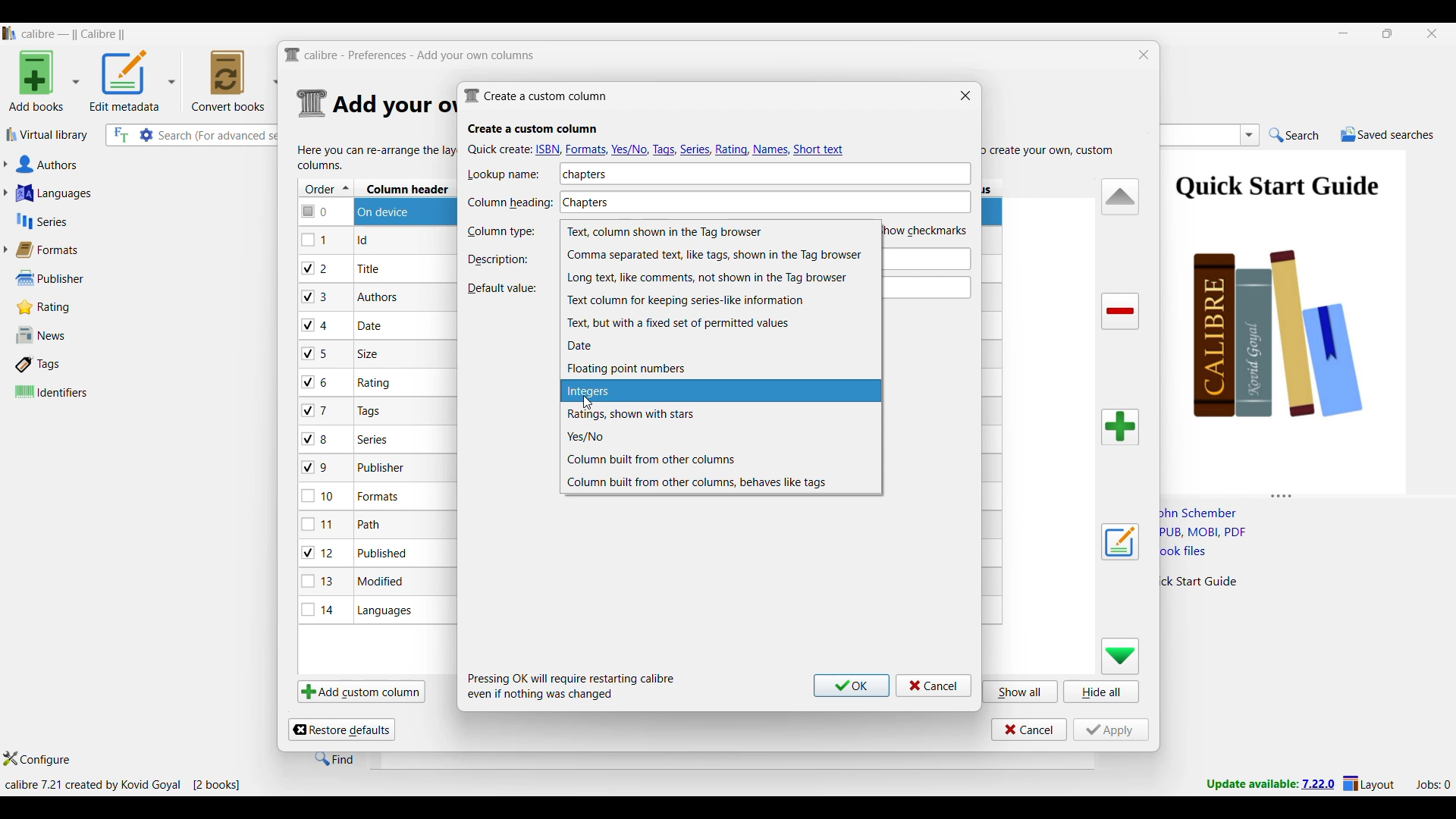  What do you see at coordinates (122, 785) in the screenshot?
I see `Current details of software` at bounding box center [122, 785].